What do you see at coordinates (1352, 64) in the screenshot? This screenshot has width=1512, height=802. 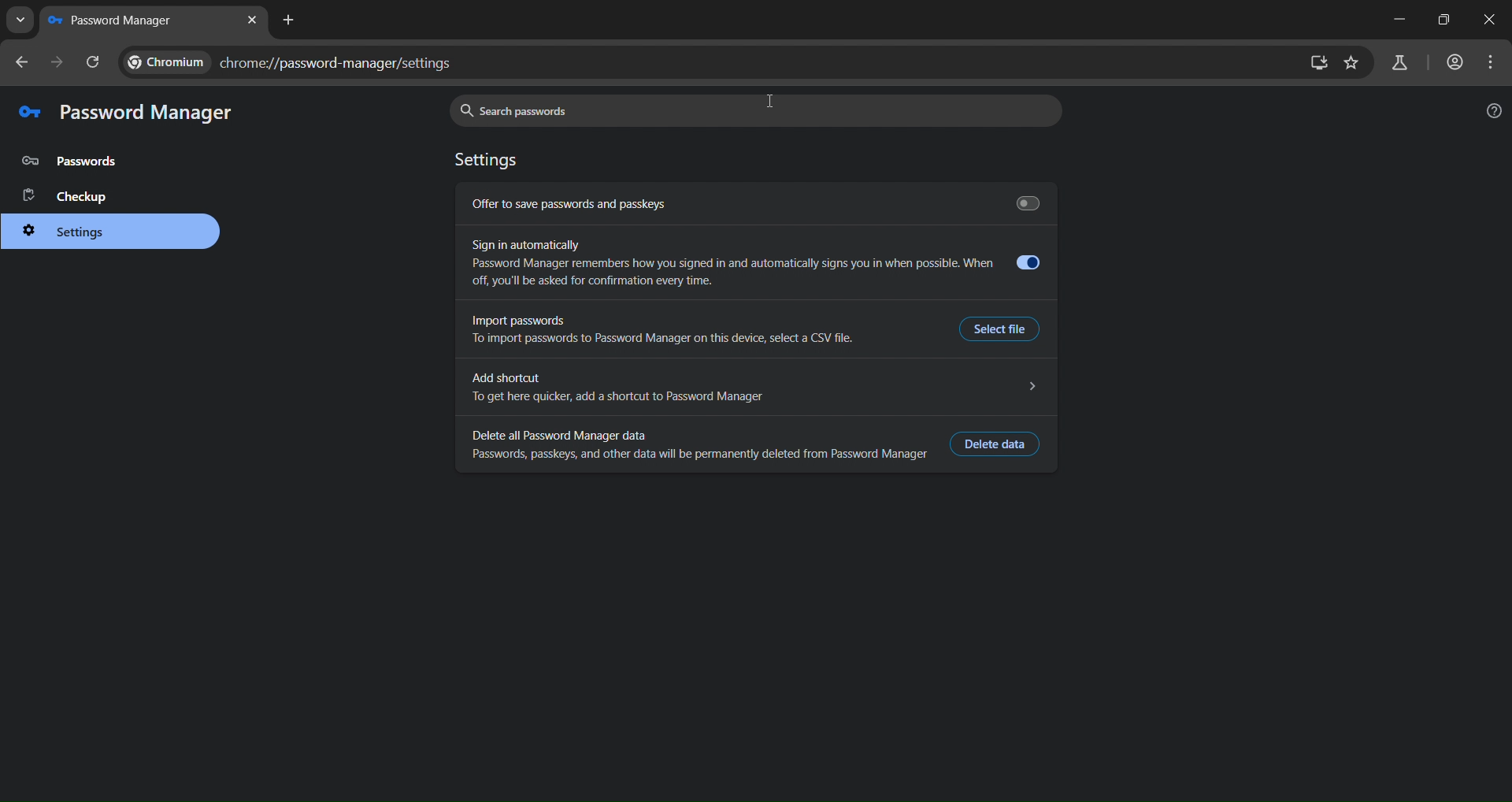 I see `bookmark page` at bounding box center [1352, 64].